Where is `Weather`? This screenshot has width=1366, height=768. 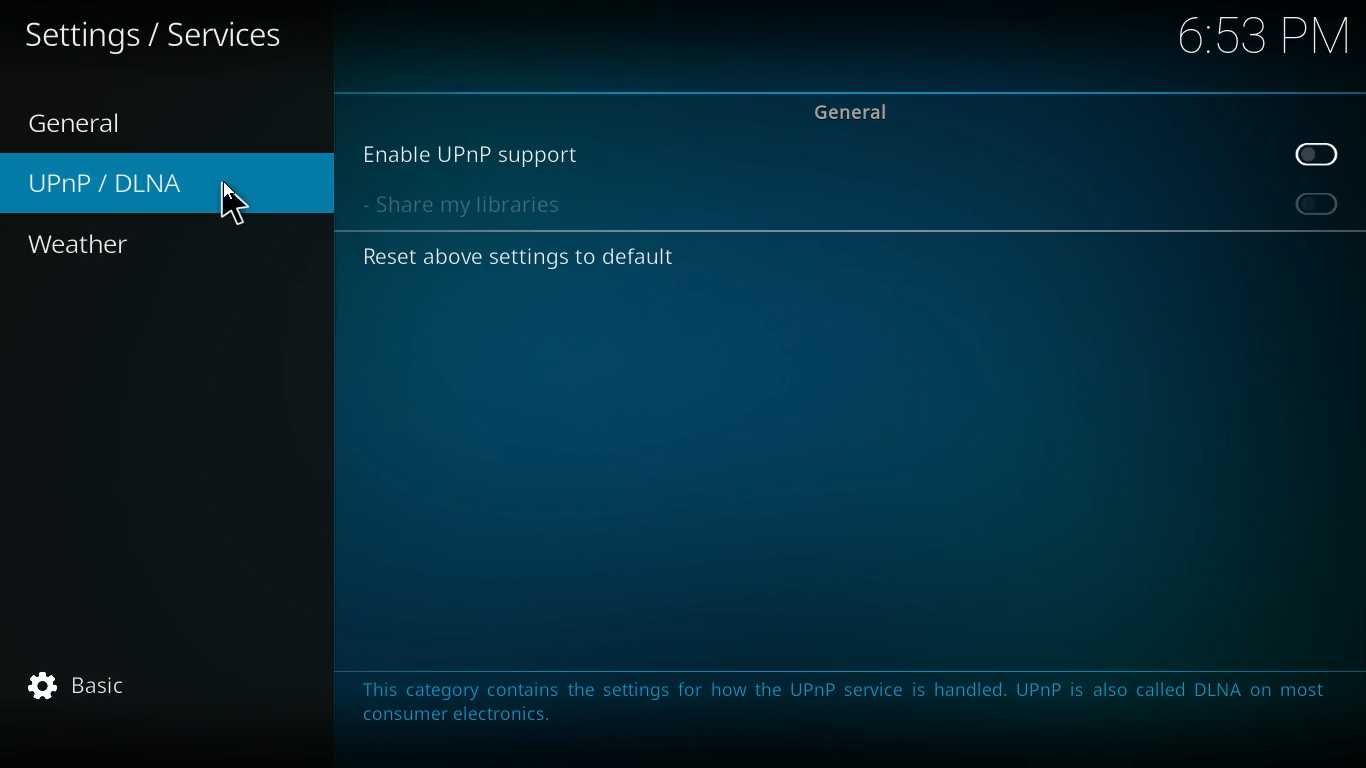 Weather is located at coordinates (80, 244).